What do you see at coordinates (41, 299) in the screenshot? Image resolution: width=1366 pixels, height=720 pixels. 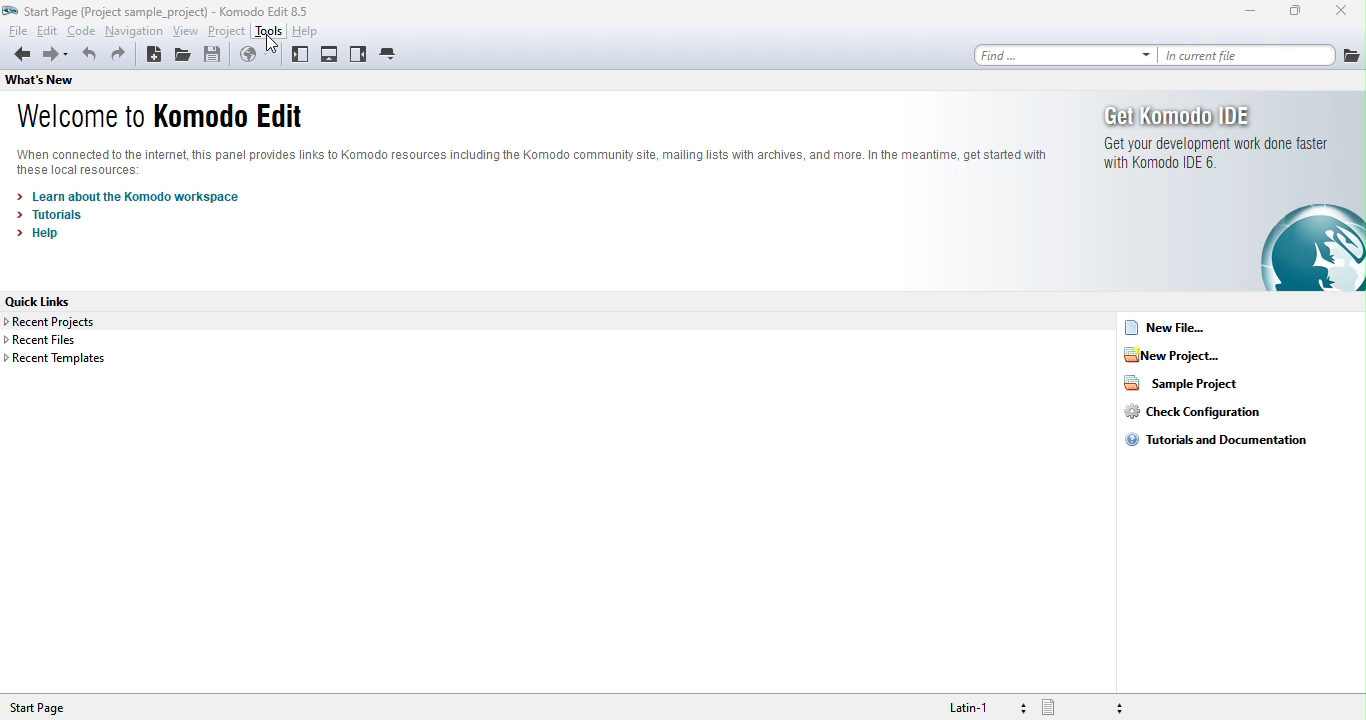 I see `quick links` at bounding box center [41, 299].